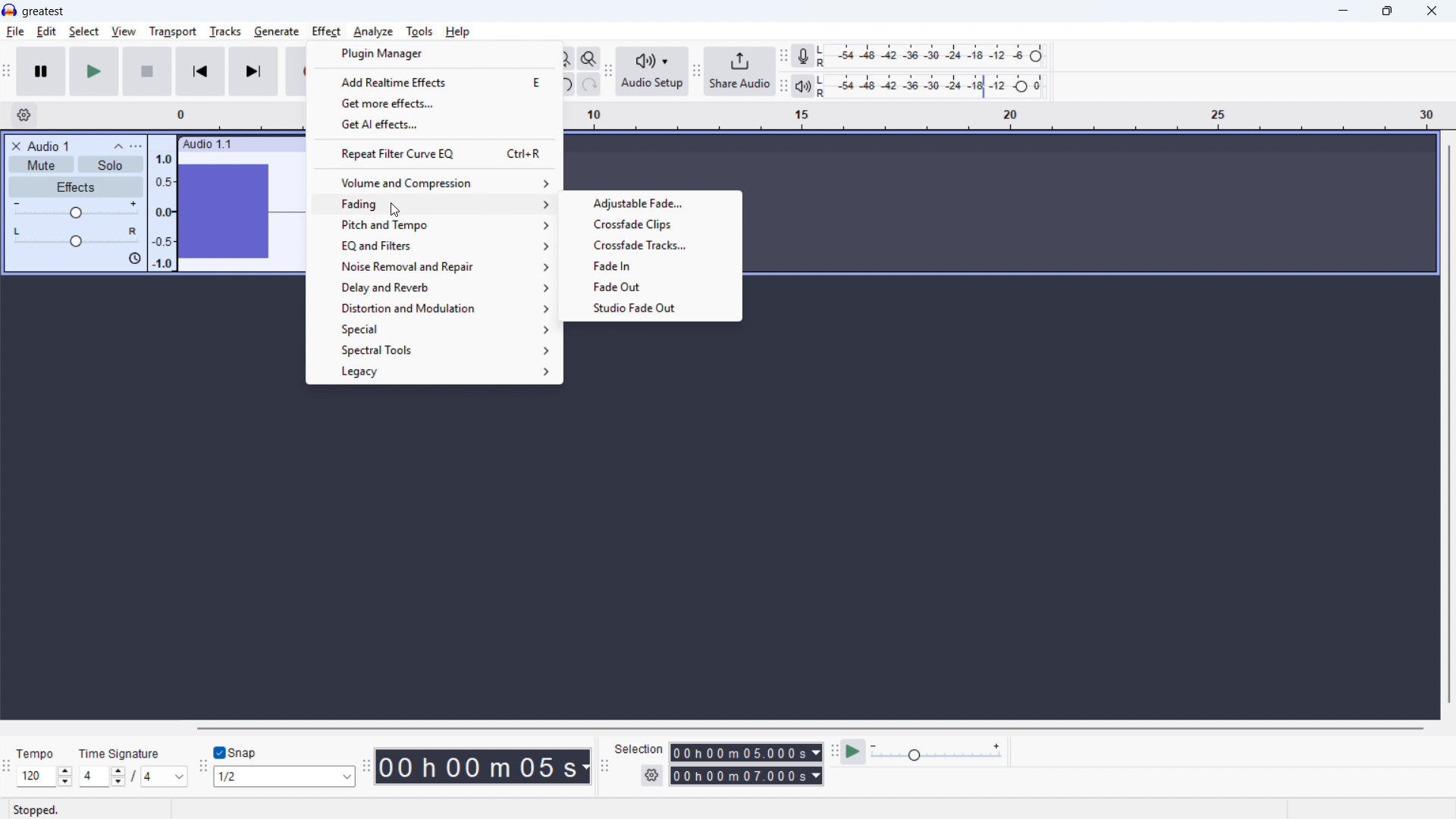  What do you see at coordinates (588, 84) in the screenshot?
I see `Redo ` at bounding box center [588, 84].